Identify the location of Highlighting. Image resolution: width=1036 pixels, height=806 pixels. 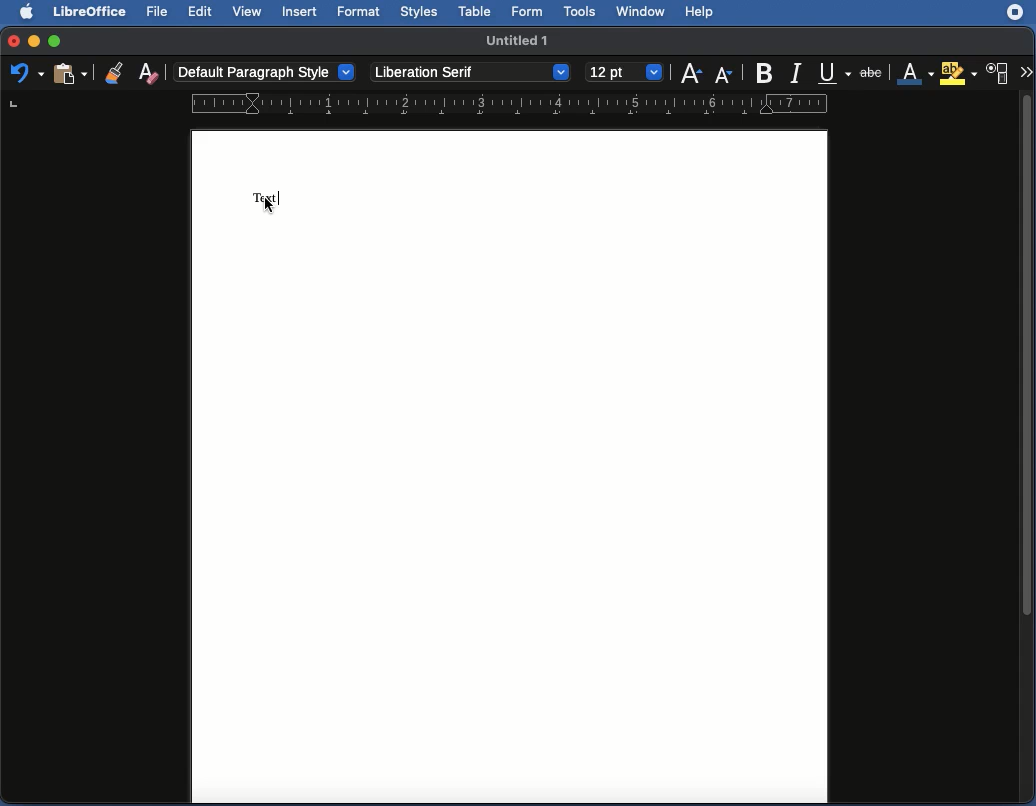
(958, 73).